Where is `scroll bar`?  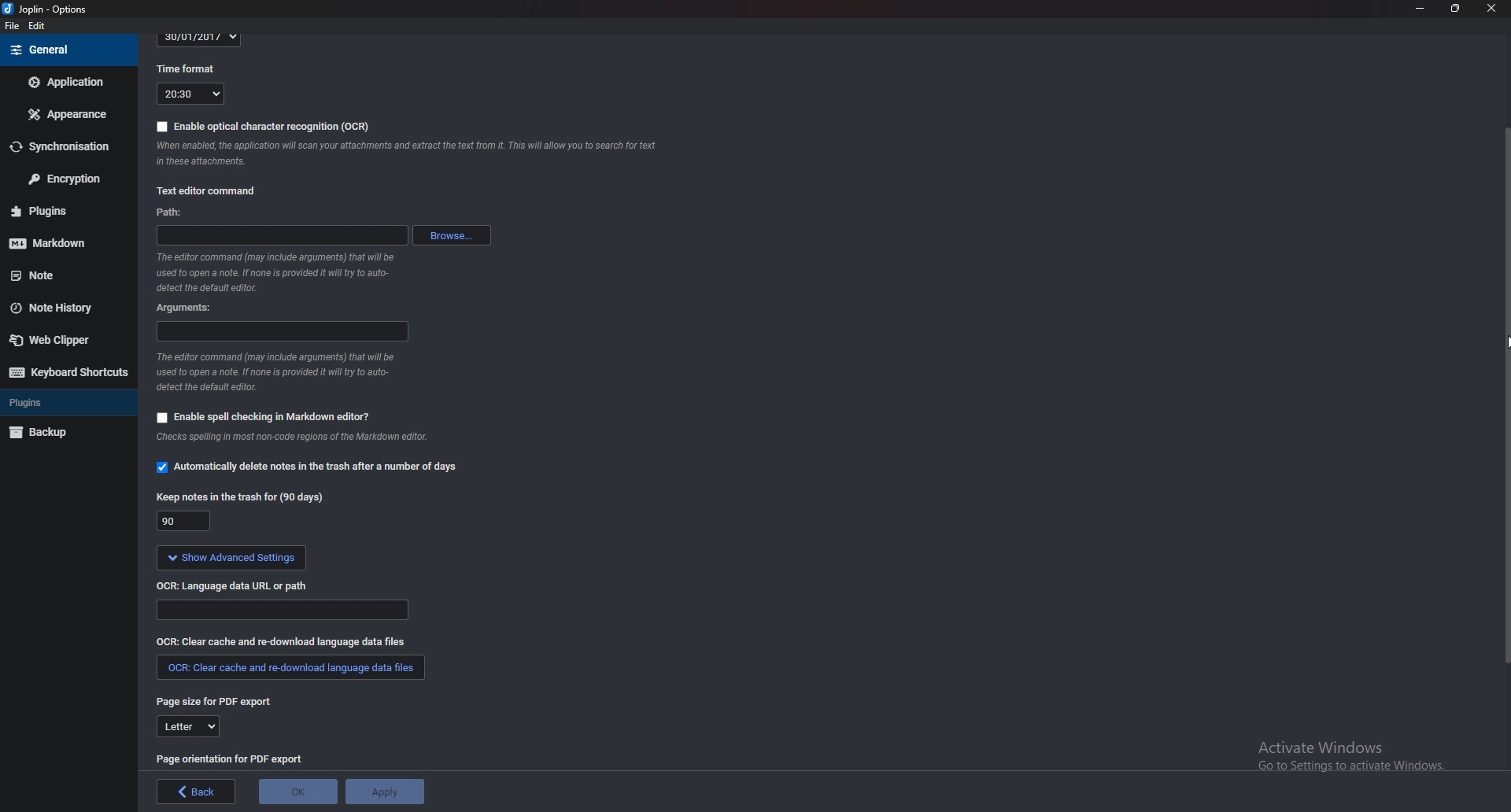
scroll bar is located at coordinates (1505, 394).